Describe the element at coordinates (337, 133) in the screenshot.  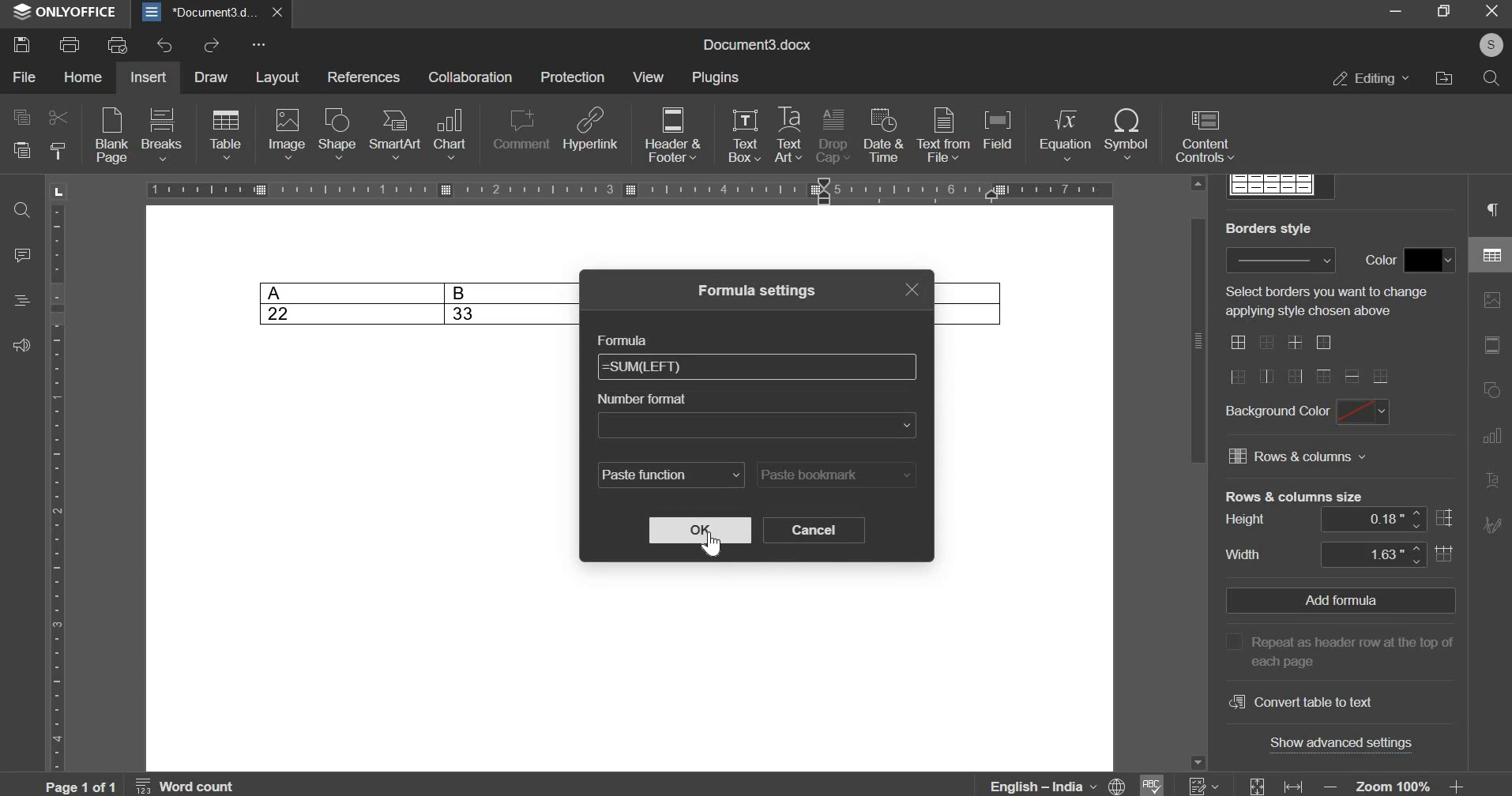
I see `shape` at that location.